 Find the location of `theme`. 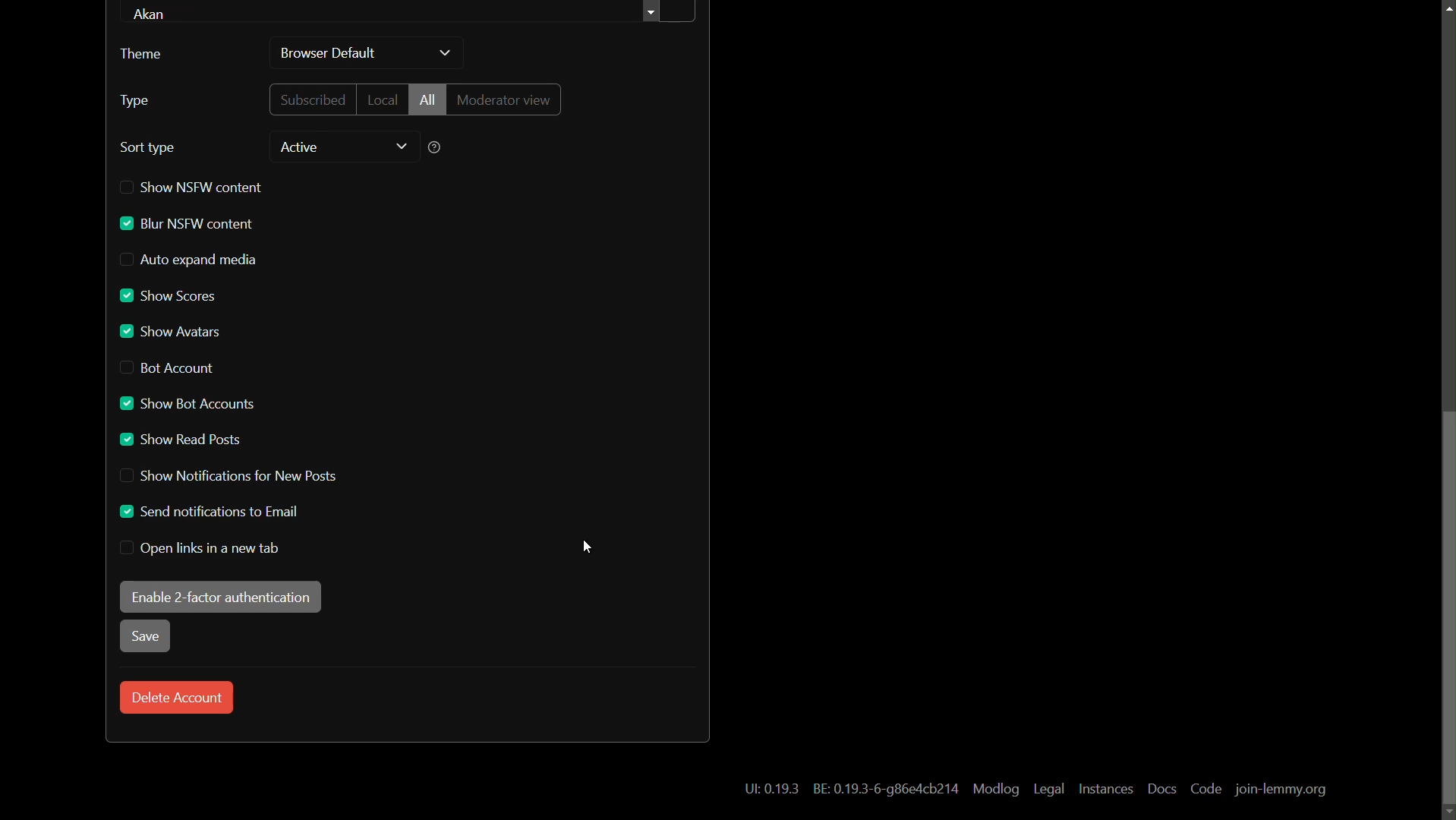

theme is located at coordinates (147, 55).